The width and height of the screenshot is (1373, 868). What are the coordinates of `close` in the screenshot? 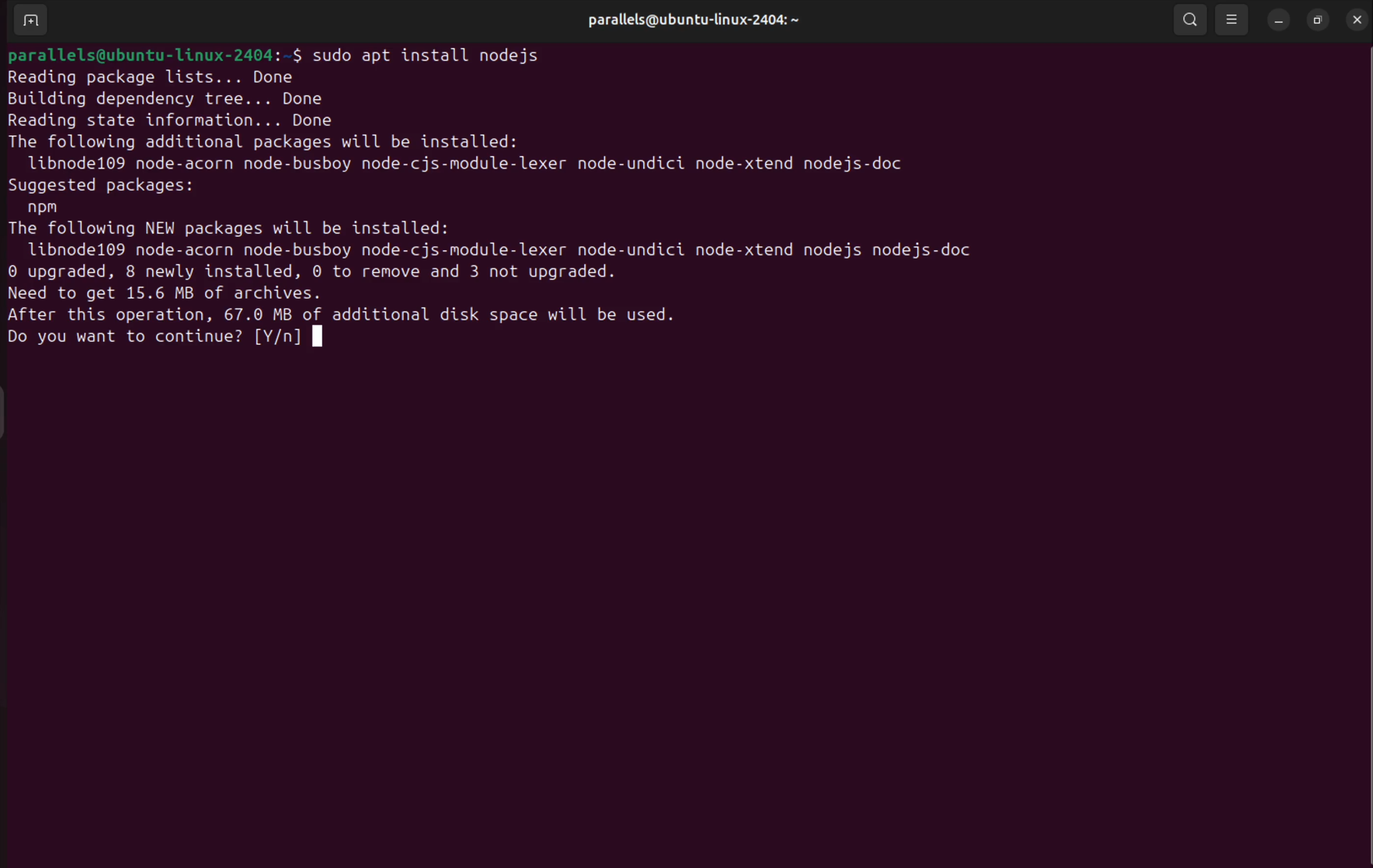 It's located at (1354, 20).